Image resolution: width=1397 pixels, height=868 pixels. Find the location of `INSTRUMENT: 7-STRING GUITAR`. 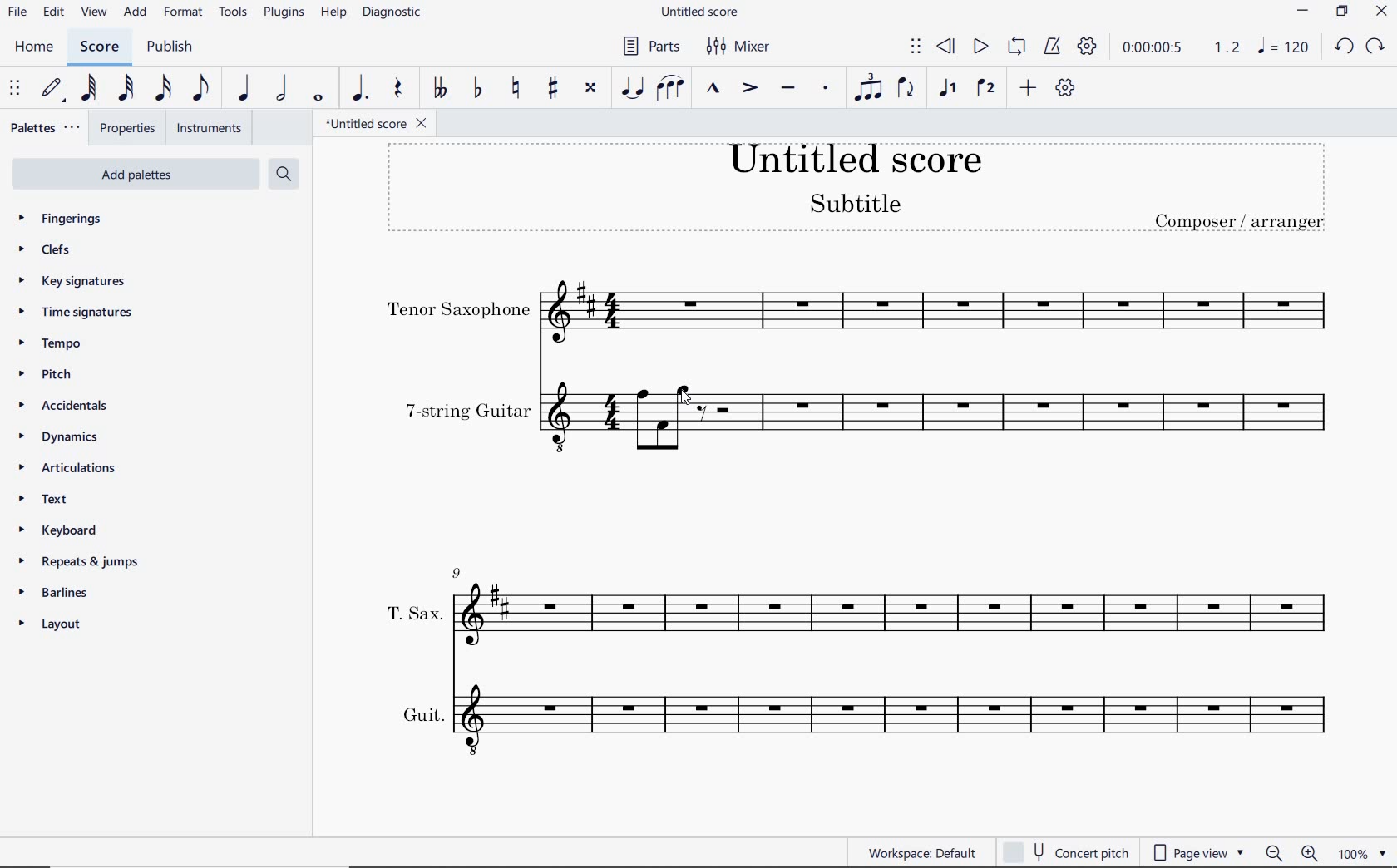

INSTRUMENT: 7-STRING GUITAR is located at coordinates (862, 418).